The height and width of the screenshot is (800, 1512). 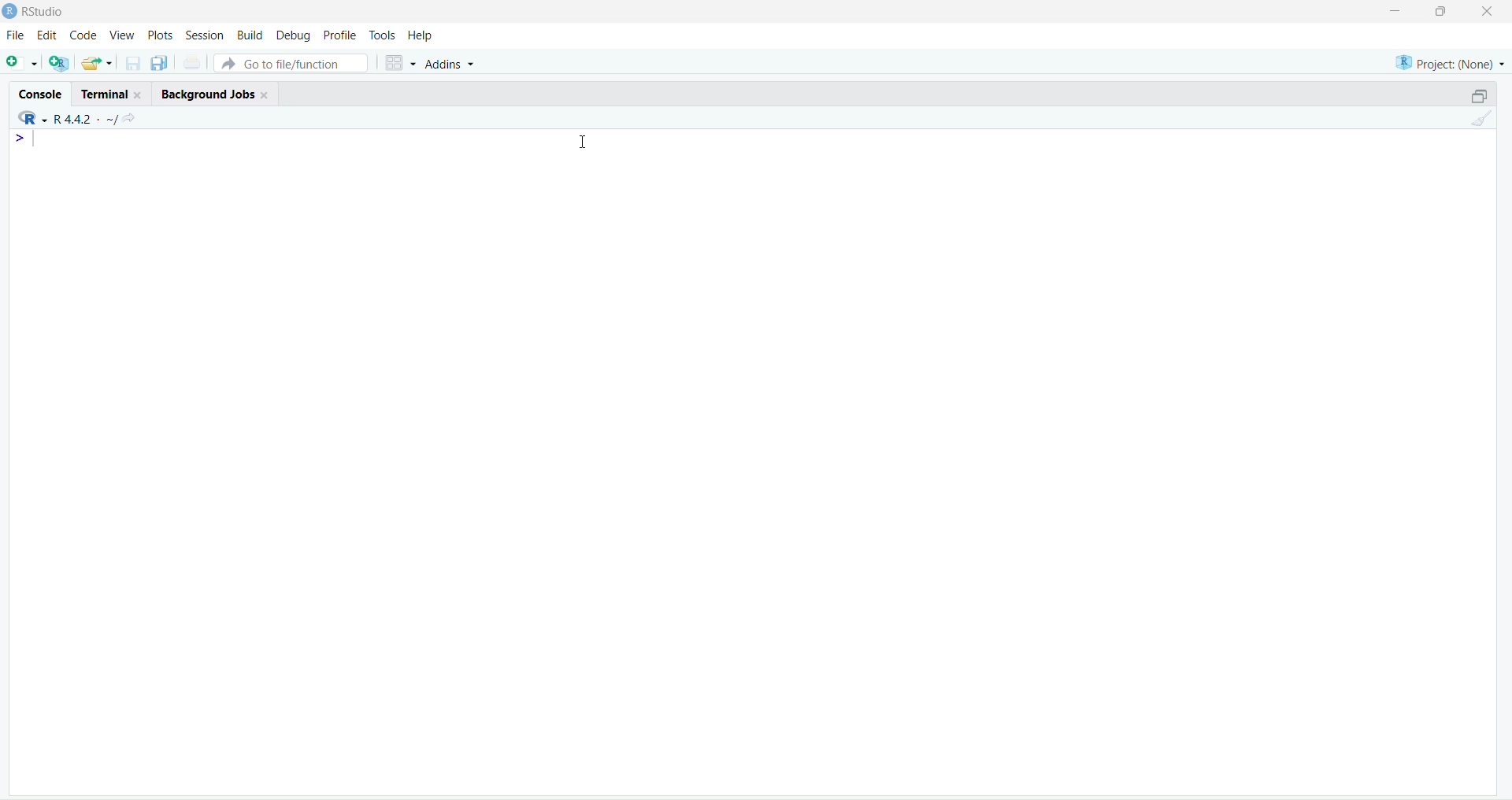 I want to click on Build, so click(x=250, y=35).